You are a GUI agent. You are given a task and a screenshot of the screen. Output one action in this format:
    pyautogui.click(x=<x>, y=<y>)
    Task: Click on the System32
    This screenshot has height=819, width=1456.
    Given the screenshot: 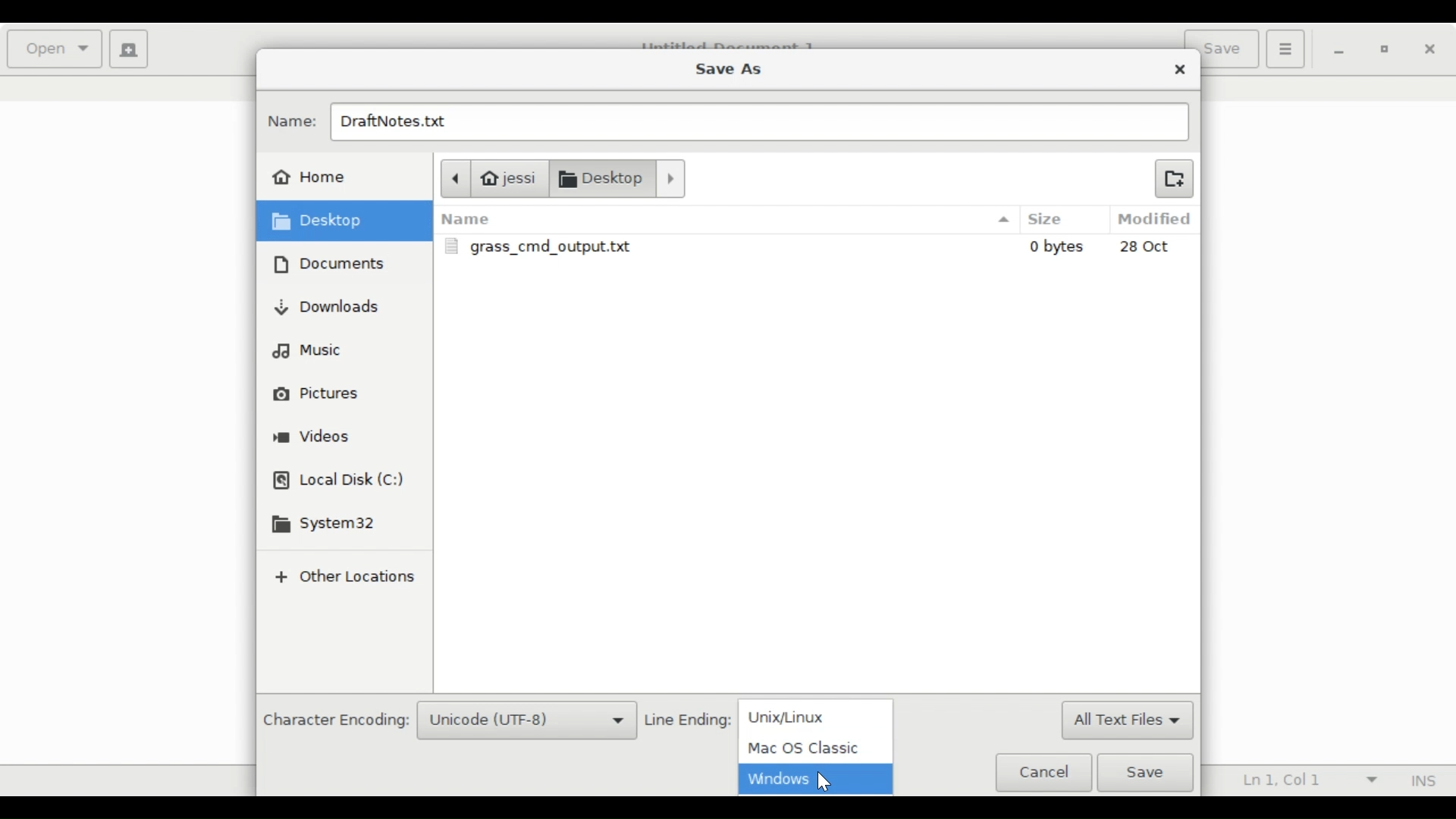 What is the action you would take?
    pyautogui.click(x=328, y=525)
    